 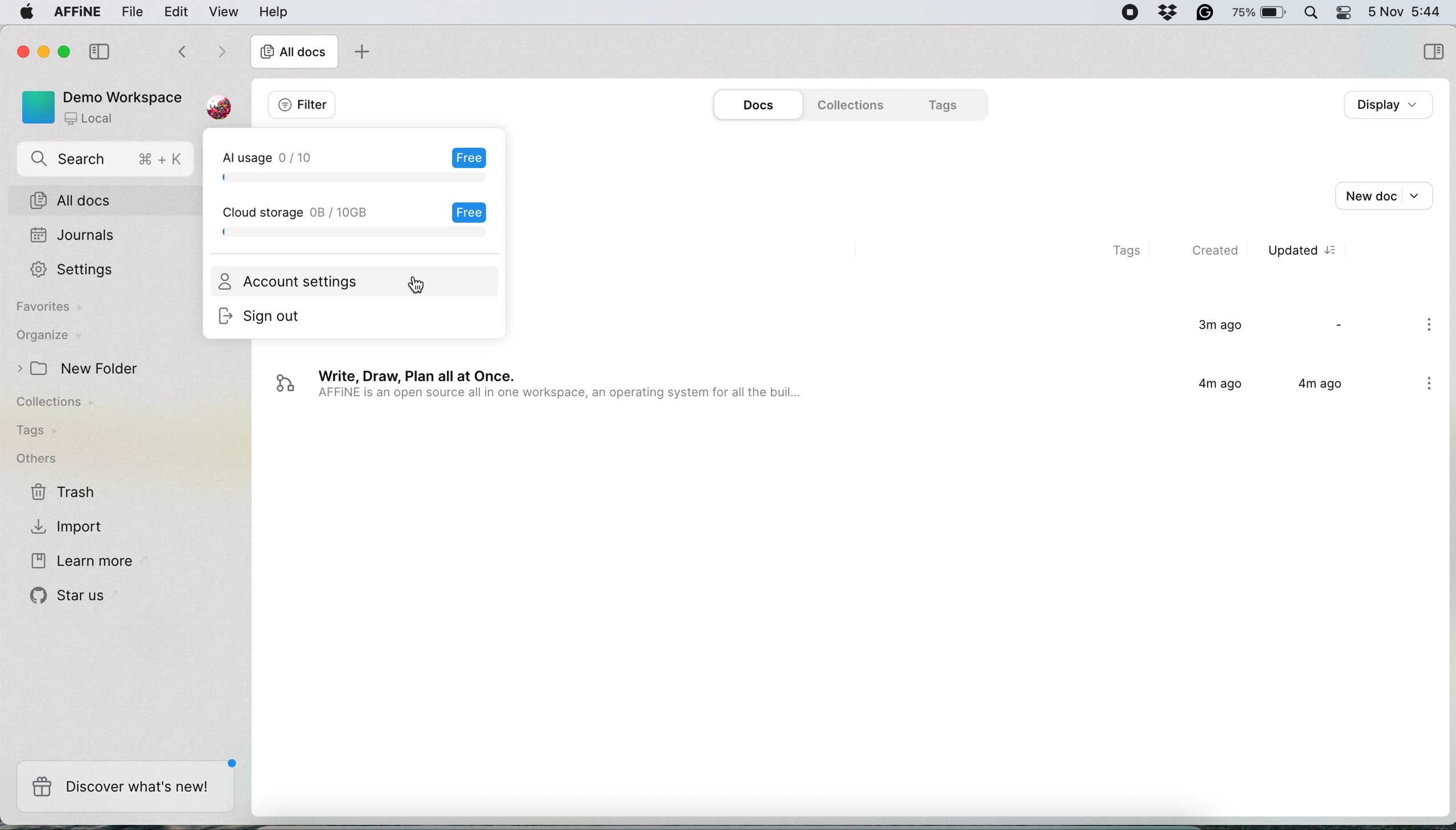 I want to click on filter, so click(x=302, y=105).